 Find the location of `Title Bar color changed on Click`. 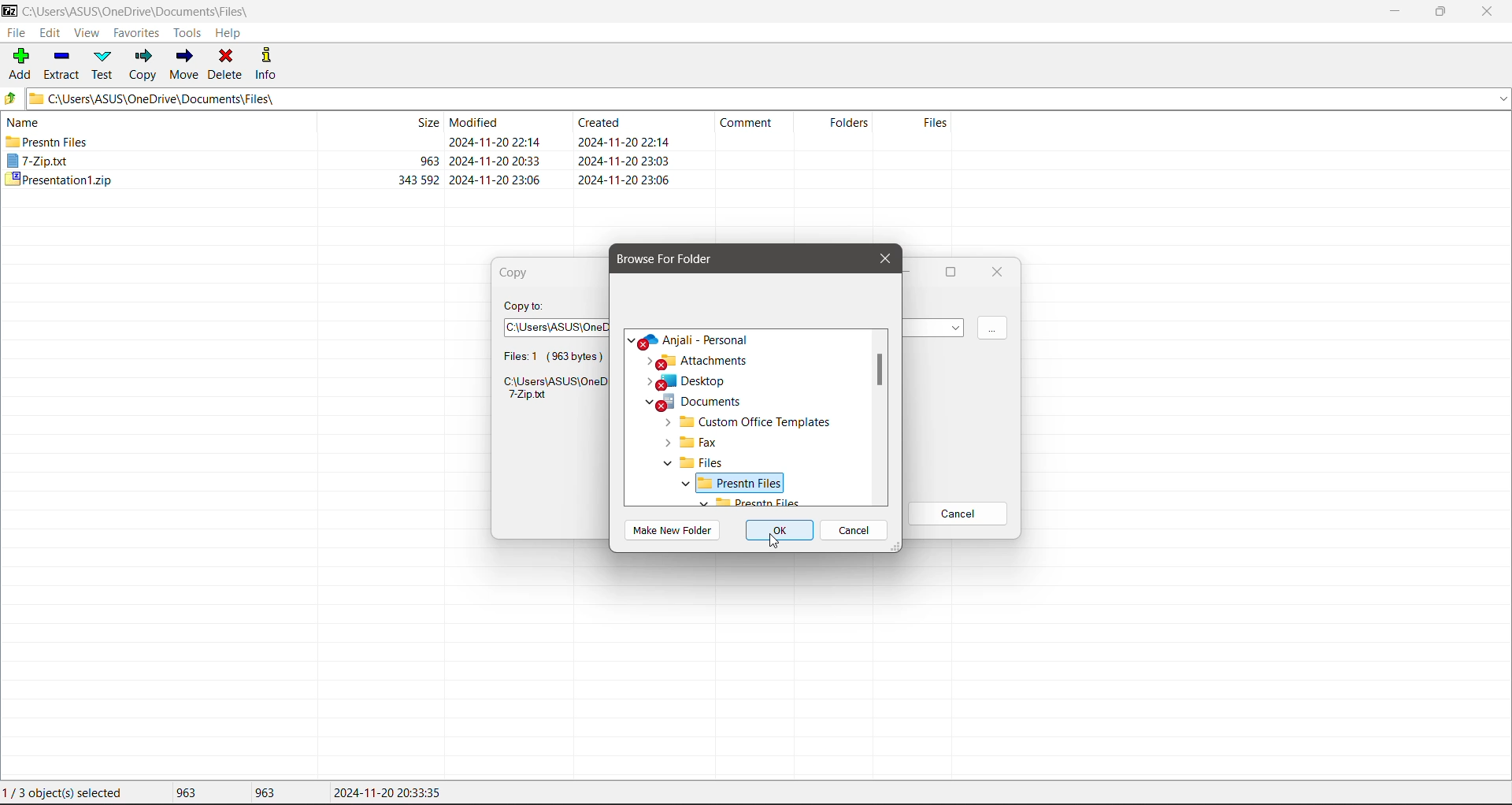

Title Bar color changed on Click is located at coordinates (547, 10).